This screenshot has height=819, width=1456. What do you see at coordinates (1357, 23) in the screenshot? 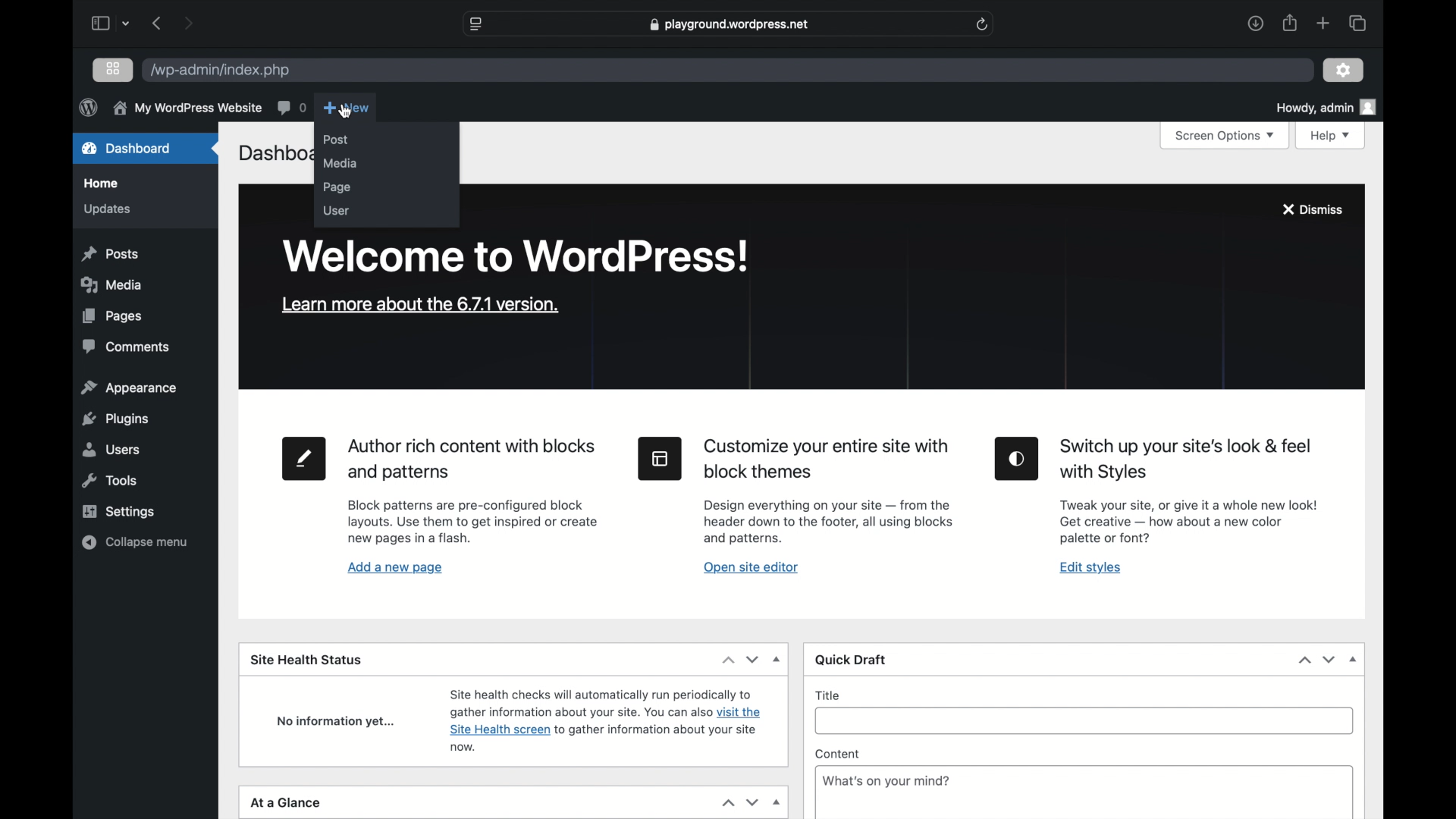
I see `tab group picker` at bounding box center [1357, 23].